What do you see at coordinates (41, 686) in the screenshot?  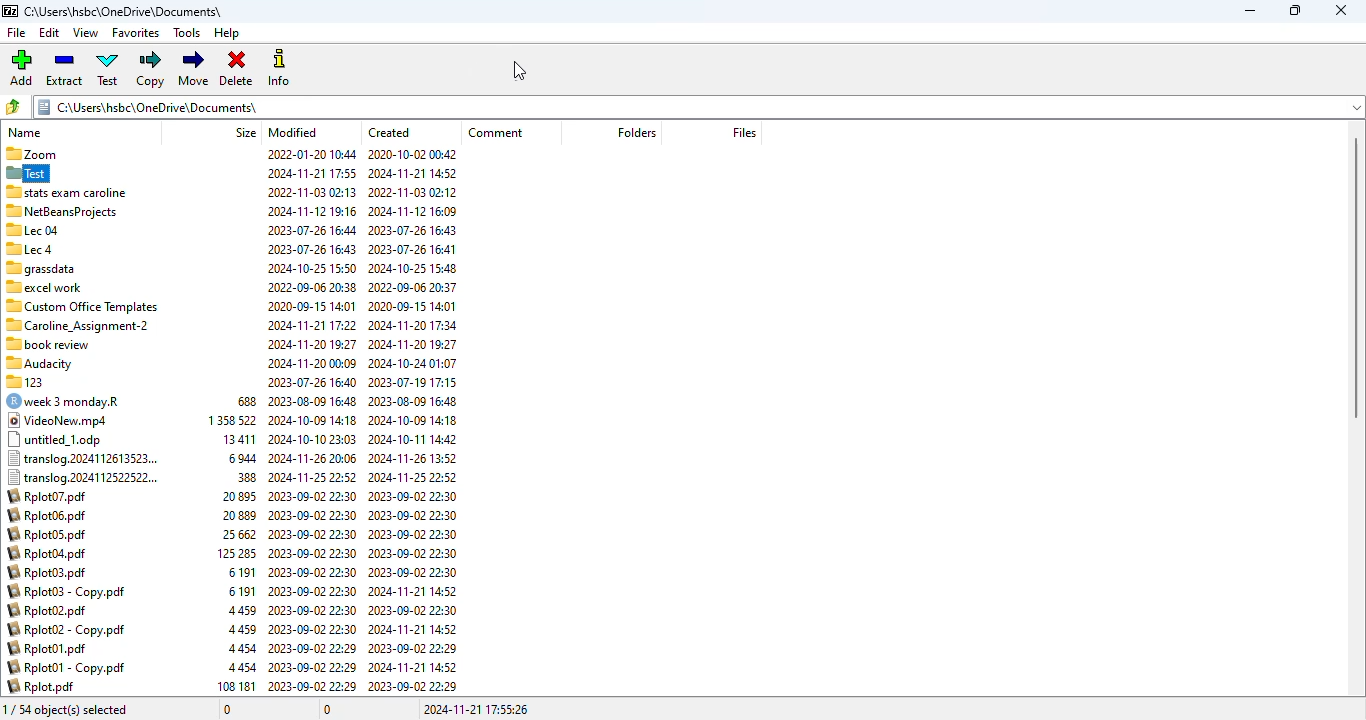 I see `Rplot.pdf` at bounding box center [41, 686].